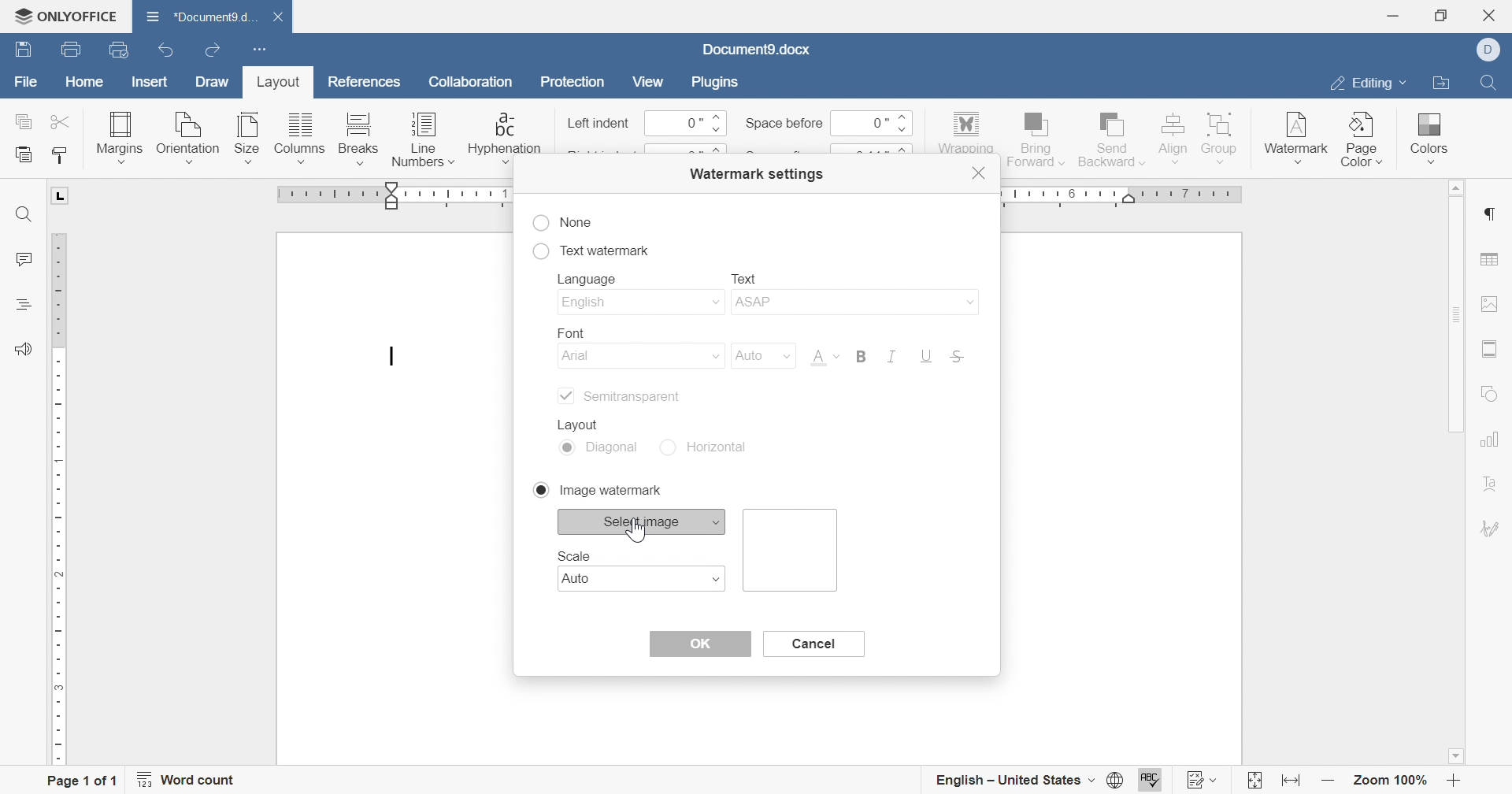 The image size is (1512, 794). Describe the element at coordinates (1121, 780) in the screenshot. I see `set document language` at that location.